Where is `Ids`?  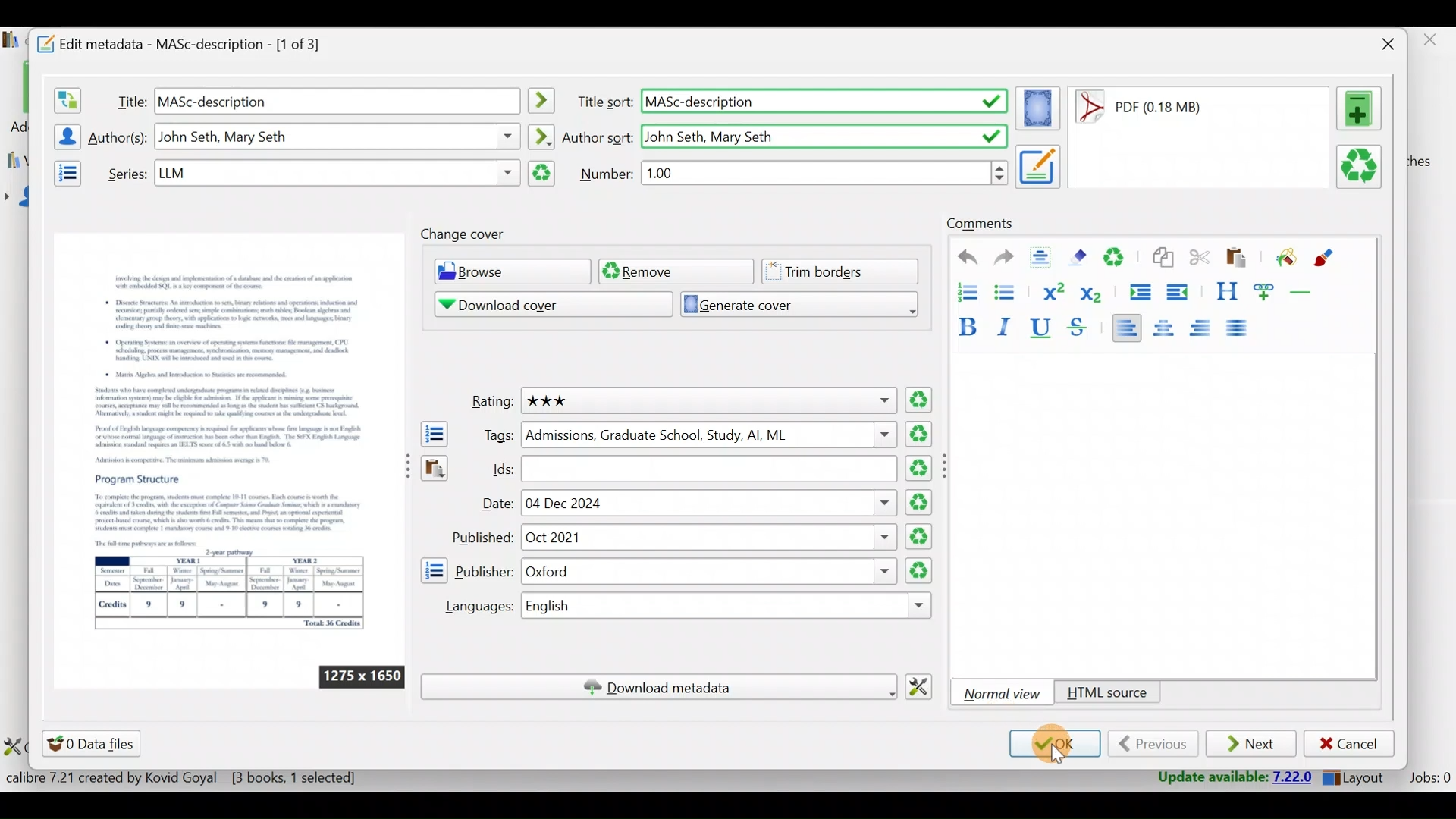
Ids is located at coordinates (494, 469).